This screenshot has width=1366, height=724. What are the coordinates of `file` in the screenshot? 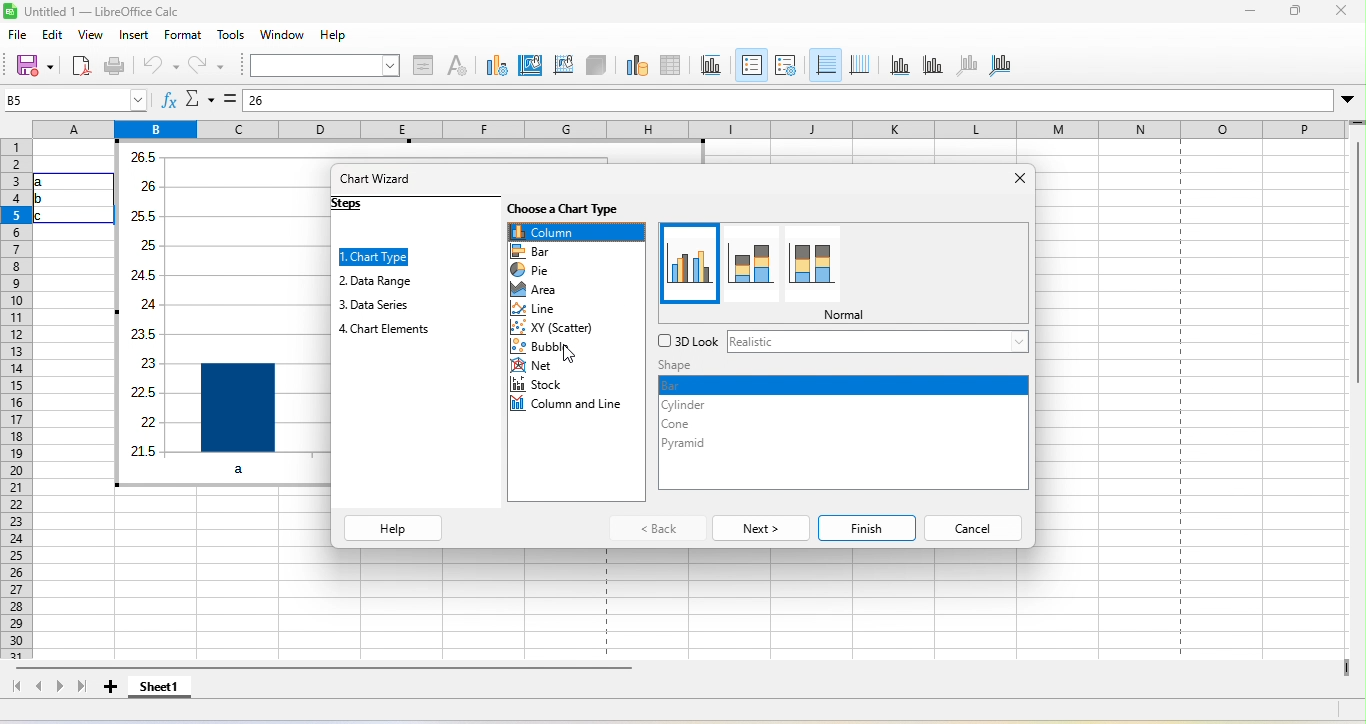 It's located at (23, 36).